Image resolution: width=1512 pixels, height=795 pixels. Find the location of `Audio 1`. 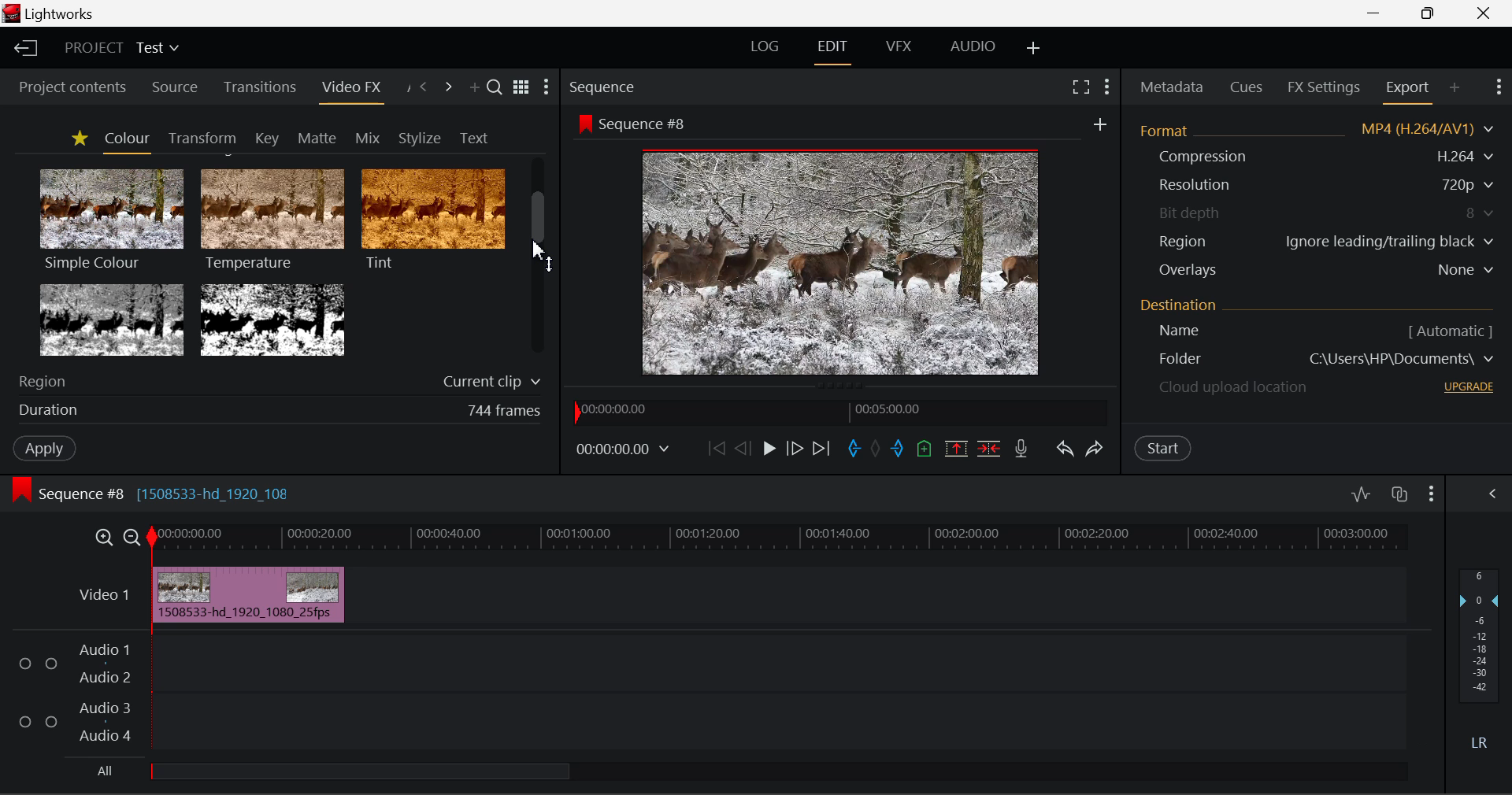

Audio 1 is located at coordinates (102, 651).